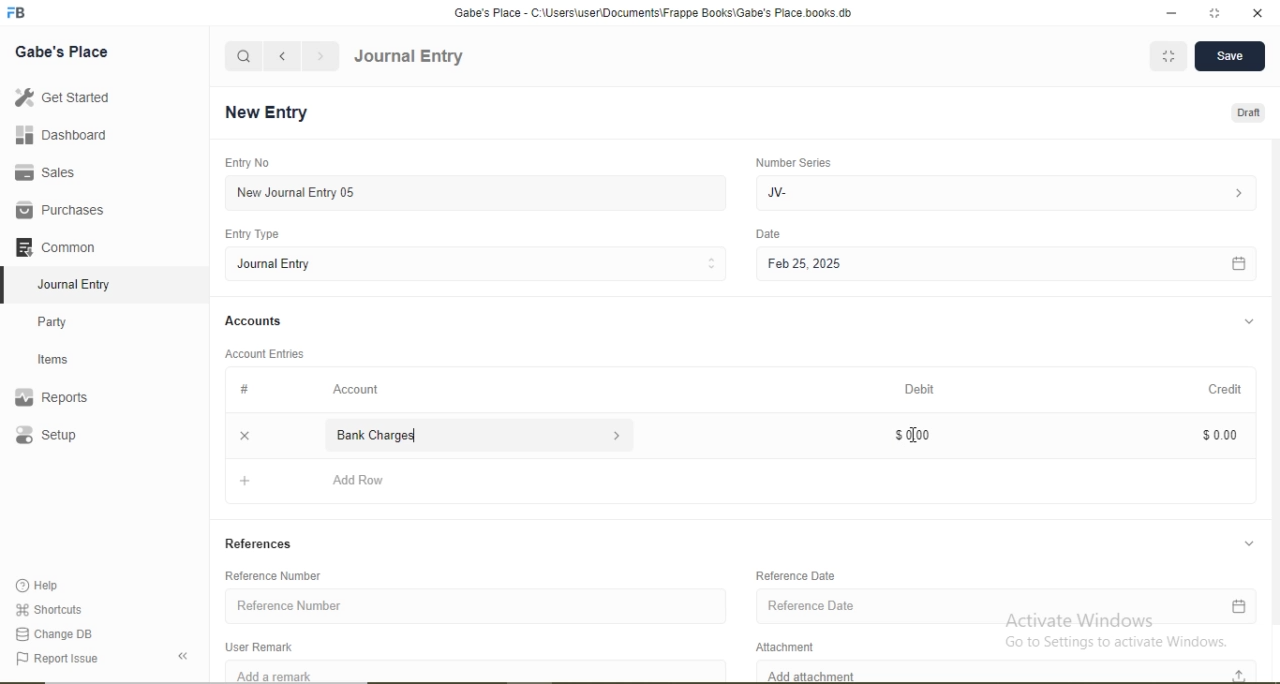  Describe the element at coordinates (55, 136) in the screenshot. I see `Dashboard` at that location.